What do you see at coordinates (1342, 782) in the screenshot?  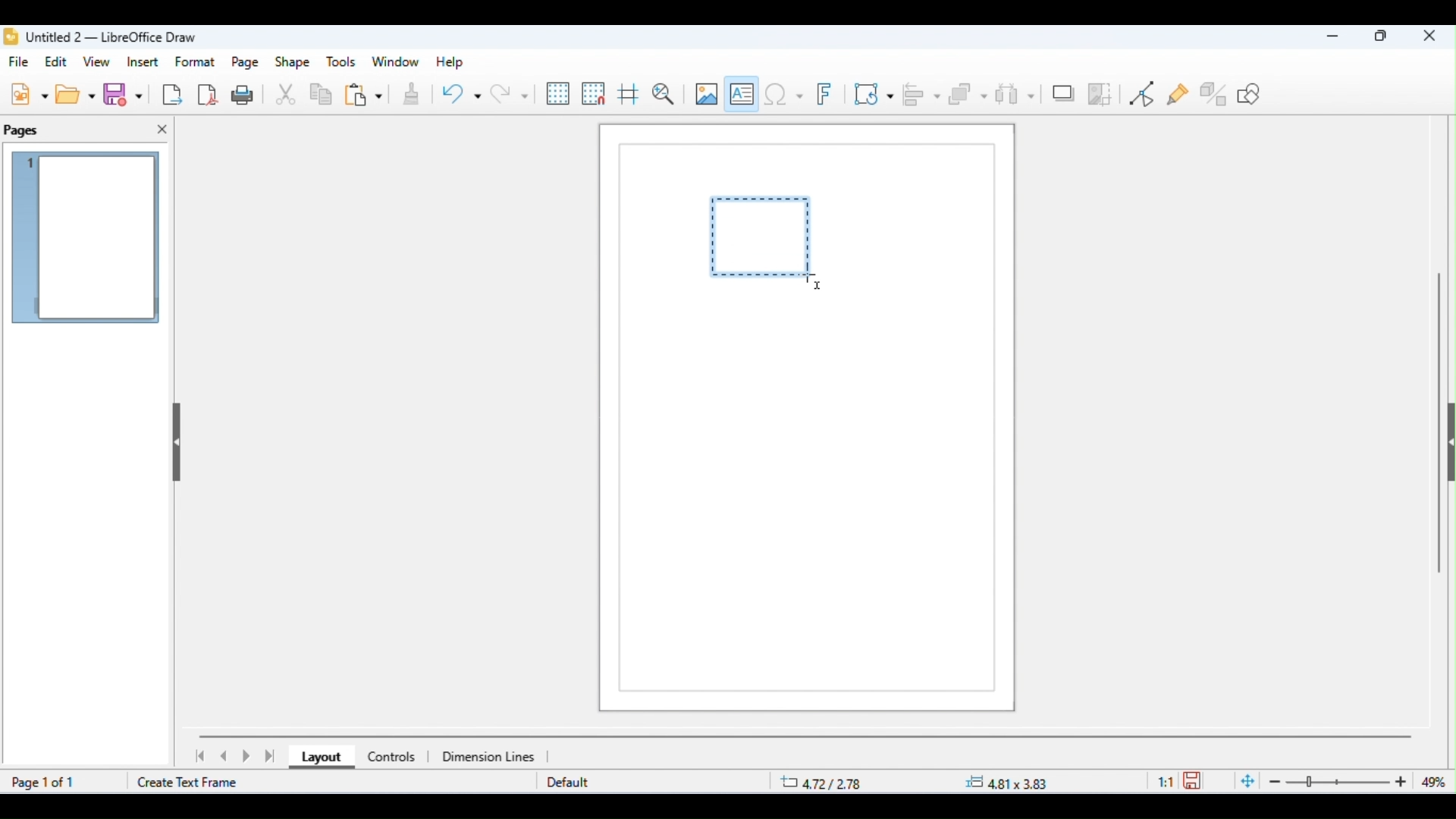 I see `zoom` at bounding box center [1342, 782].